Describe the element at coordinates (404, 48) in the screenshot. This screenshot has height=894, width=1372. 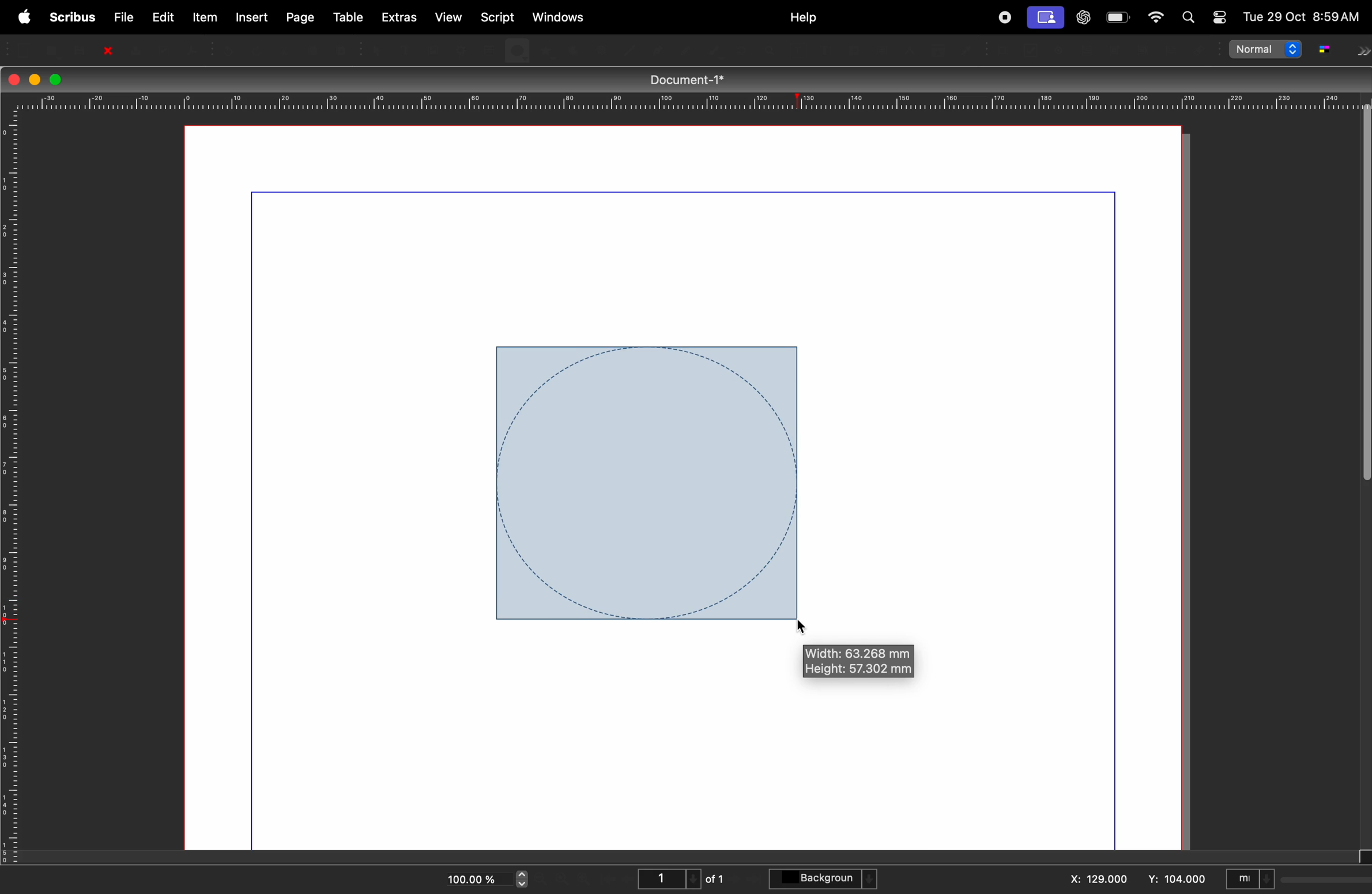
I see `Text frame` at that location.